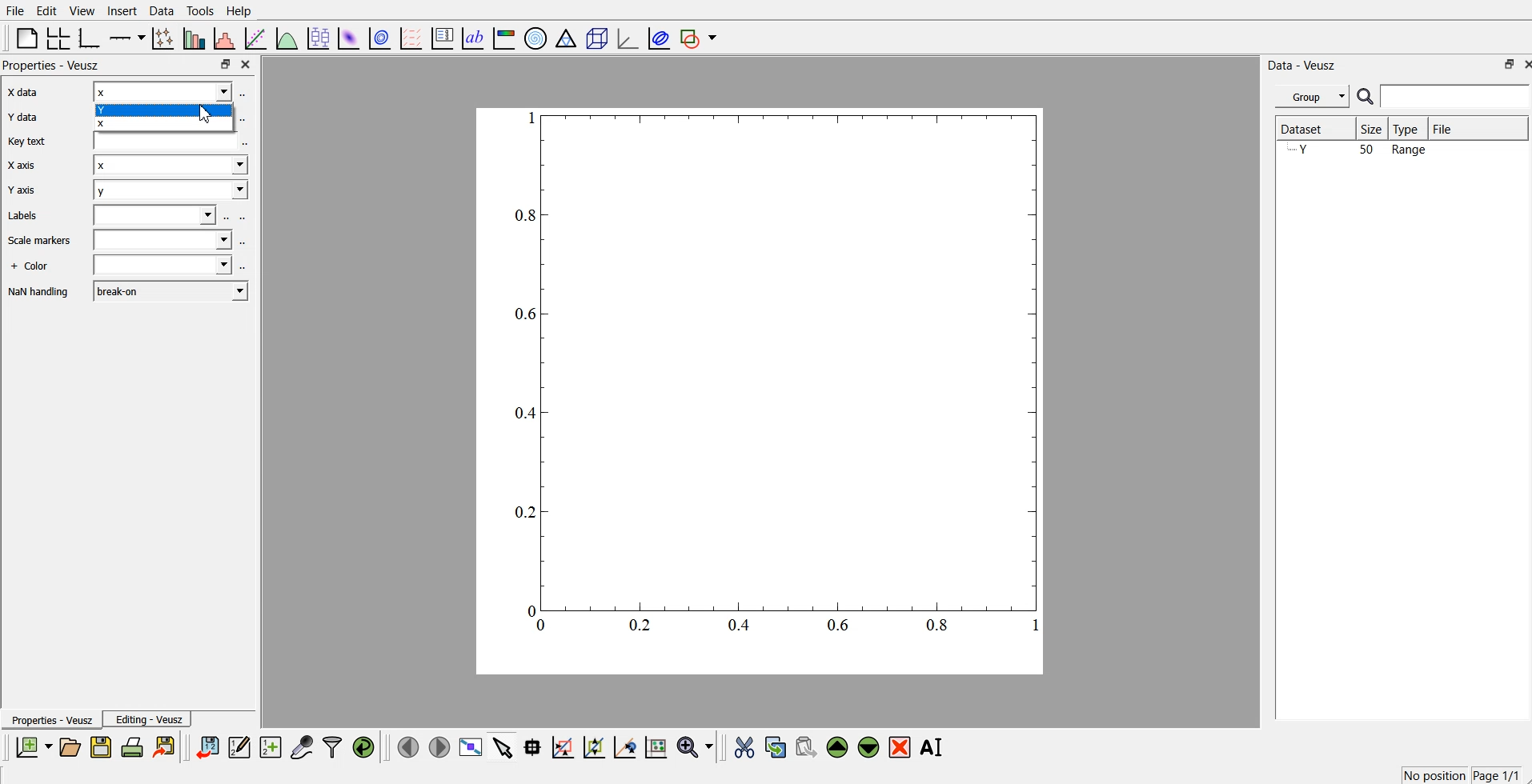 The image size is (1532, 784). Describe the element at coordinates (468, 748) in the screenshot. I see `view data points full screen` at that location.